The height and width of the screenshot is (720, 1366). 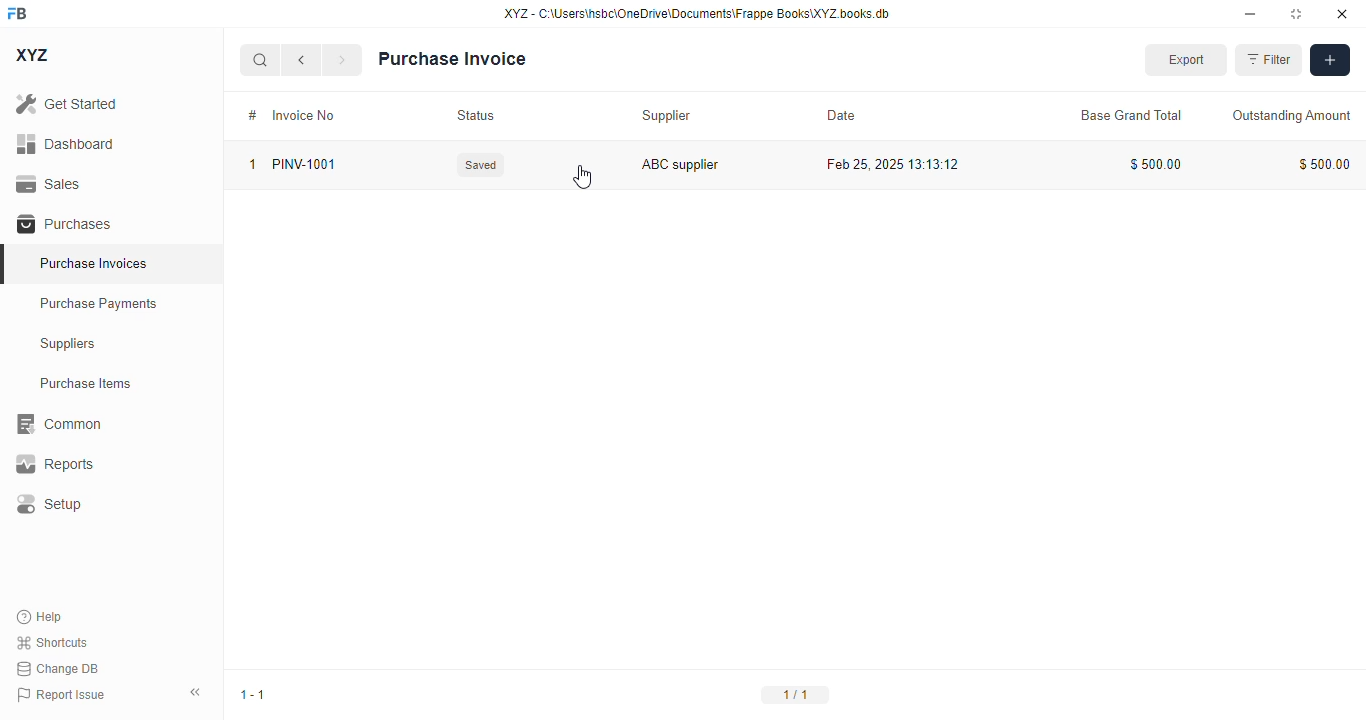 I want to click on date, so click(x=840, y=115).